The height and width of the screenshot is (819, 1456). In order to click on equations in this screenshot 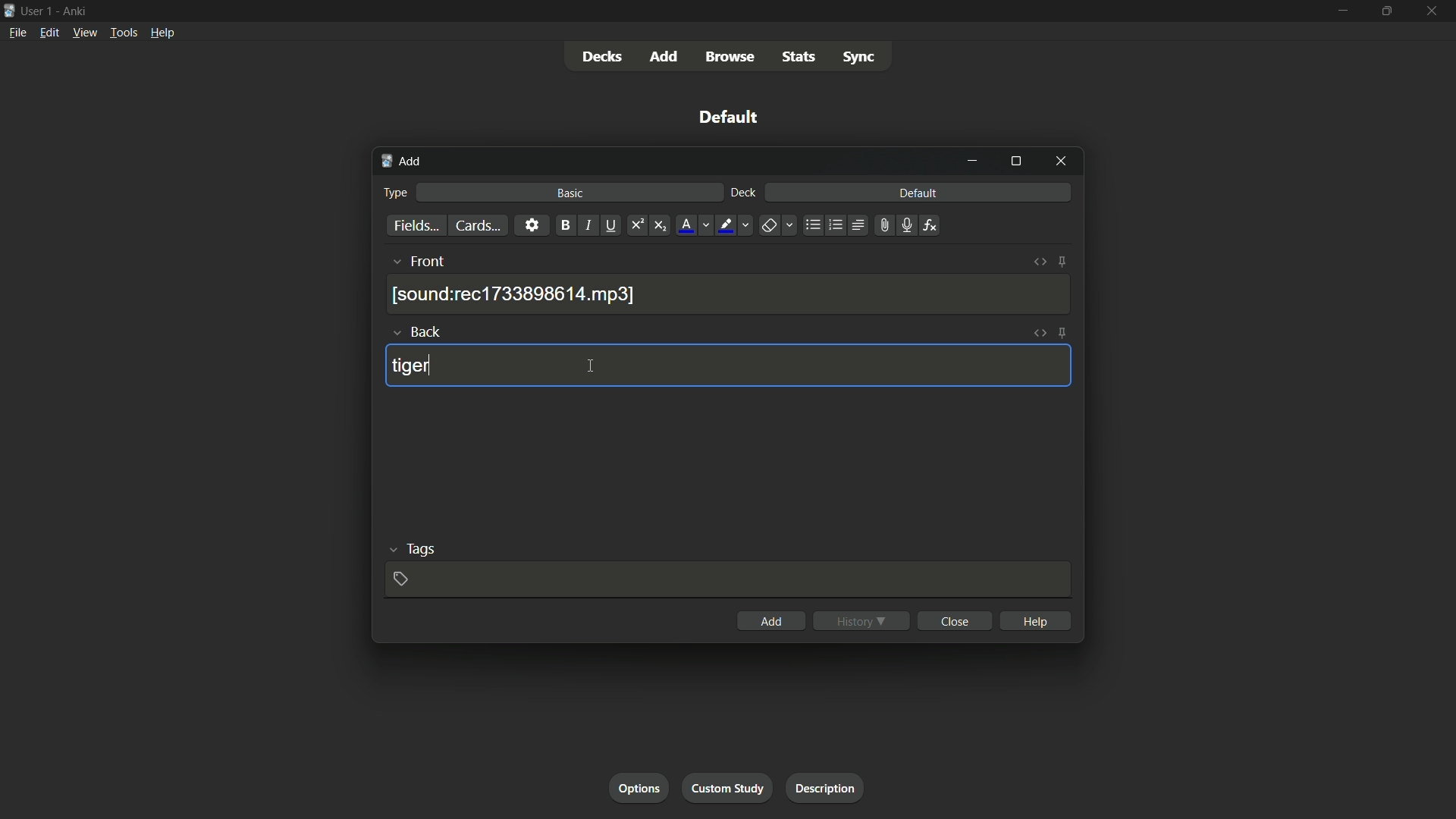, I will do `click(930, 225)`.